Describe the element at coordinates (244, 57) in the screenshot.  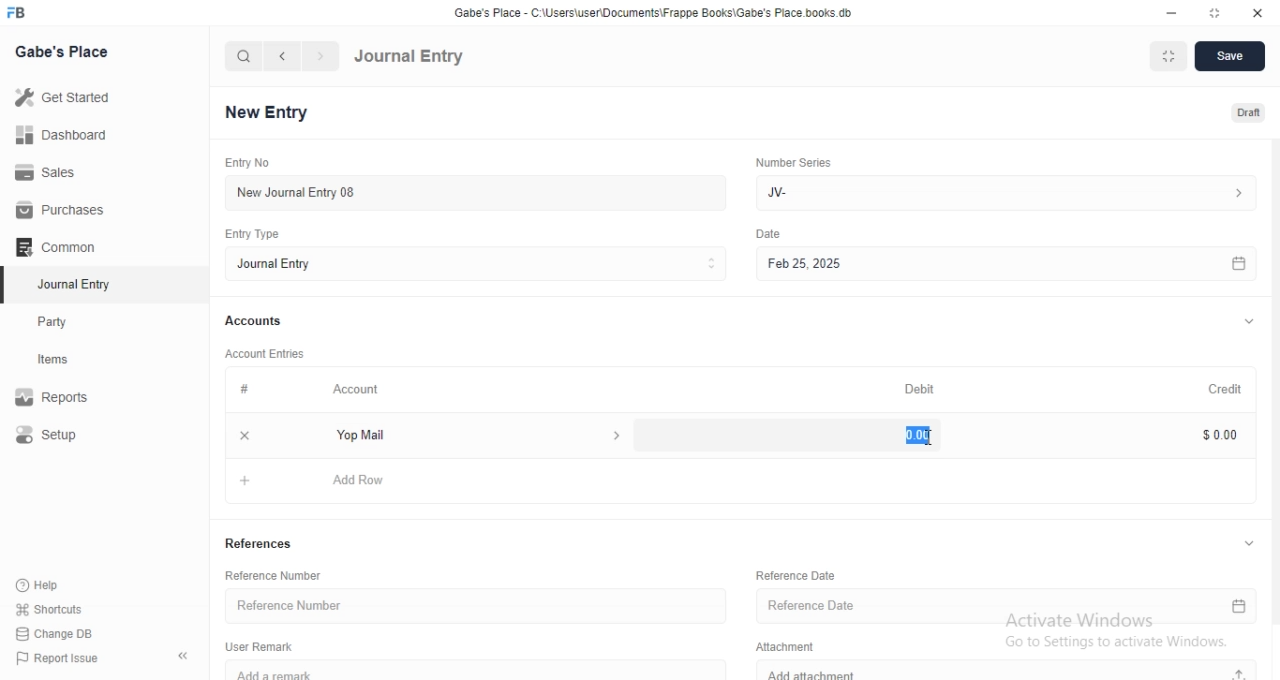
I see `search` at that location.